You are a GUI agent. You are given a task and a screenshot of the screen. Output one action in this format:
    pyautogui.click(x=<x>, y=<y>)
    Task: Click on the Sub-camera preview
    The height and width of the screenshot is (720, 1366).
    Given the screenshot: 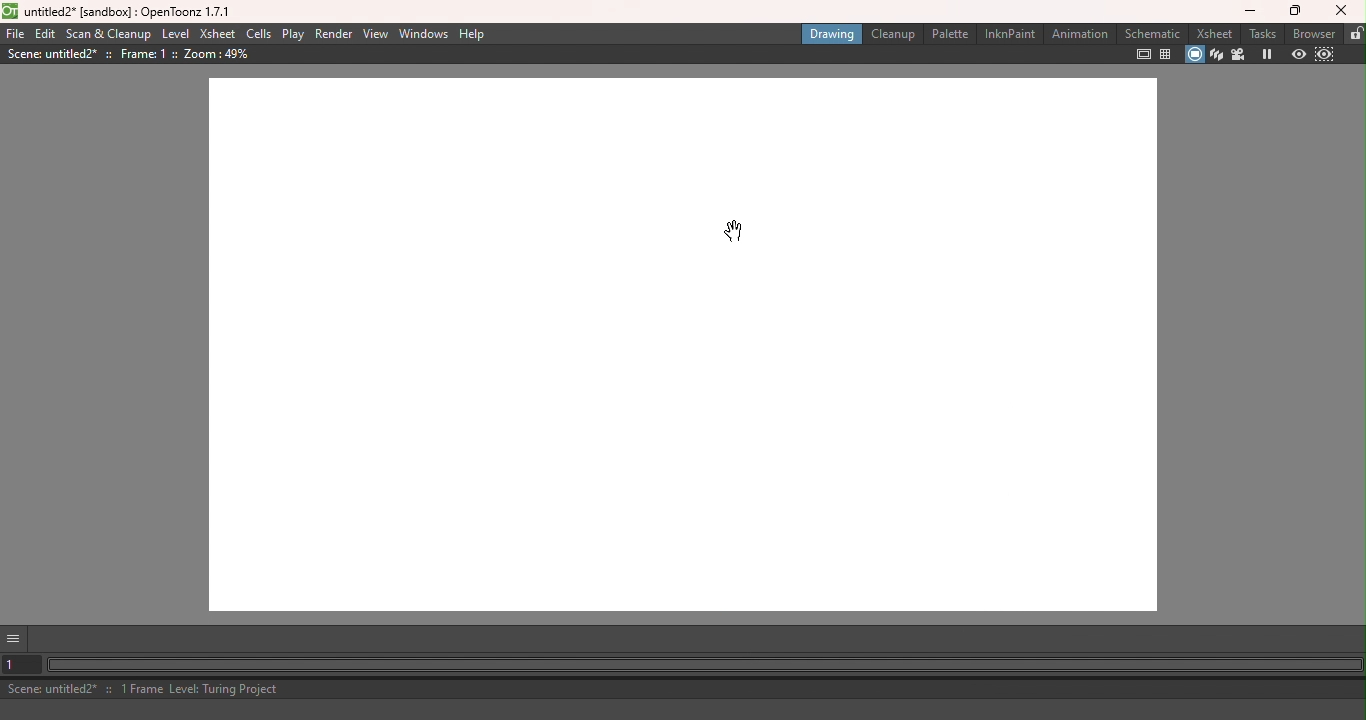 What is the action you would take?
    pyautogui.click(x=1326, y=55)
    